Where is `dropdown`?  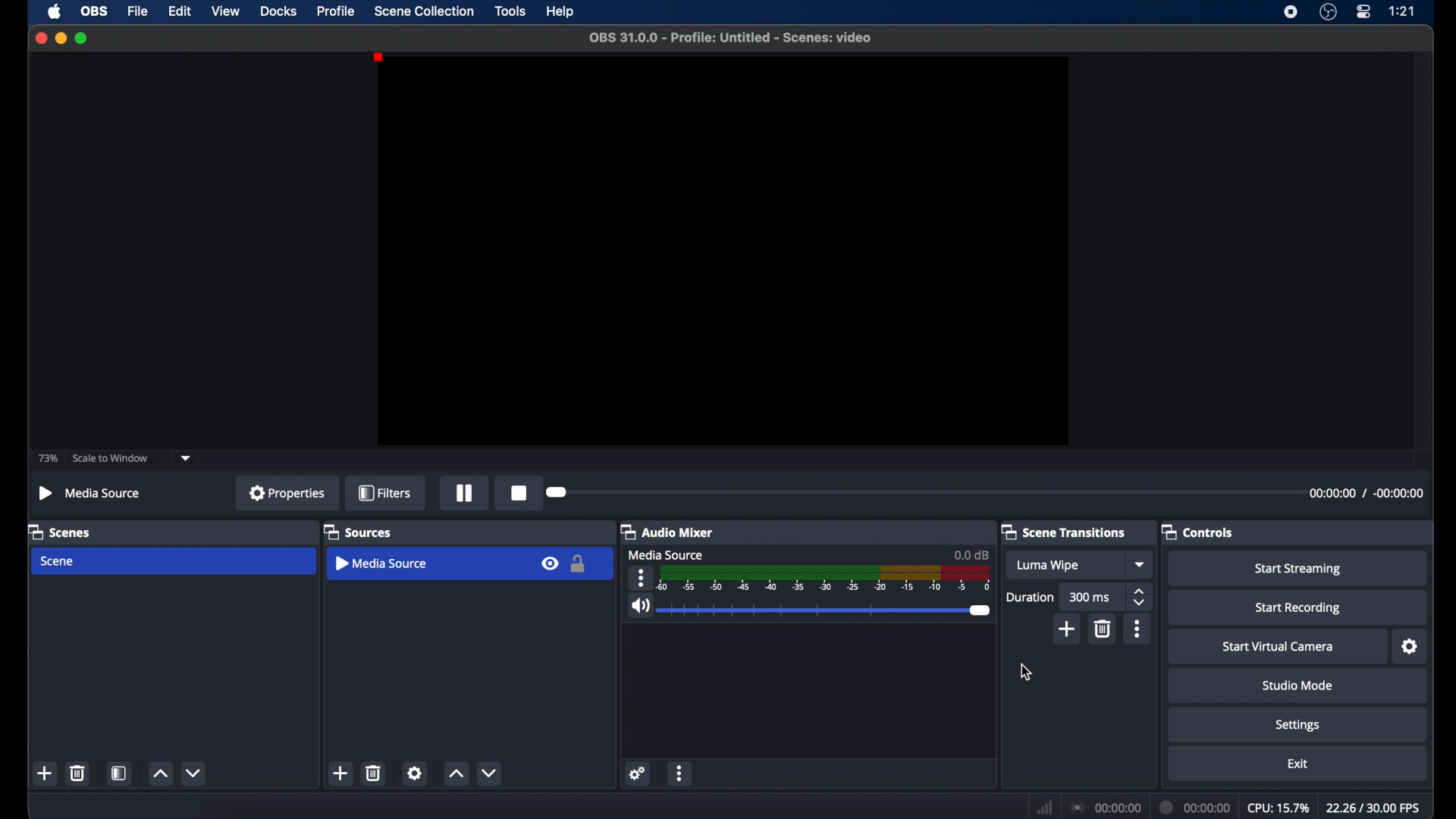
dropdown is located at coordinates (1141, 564).